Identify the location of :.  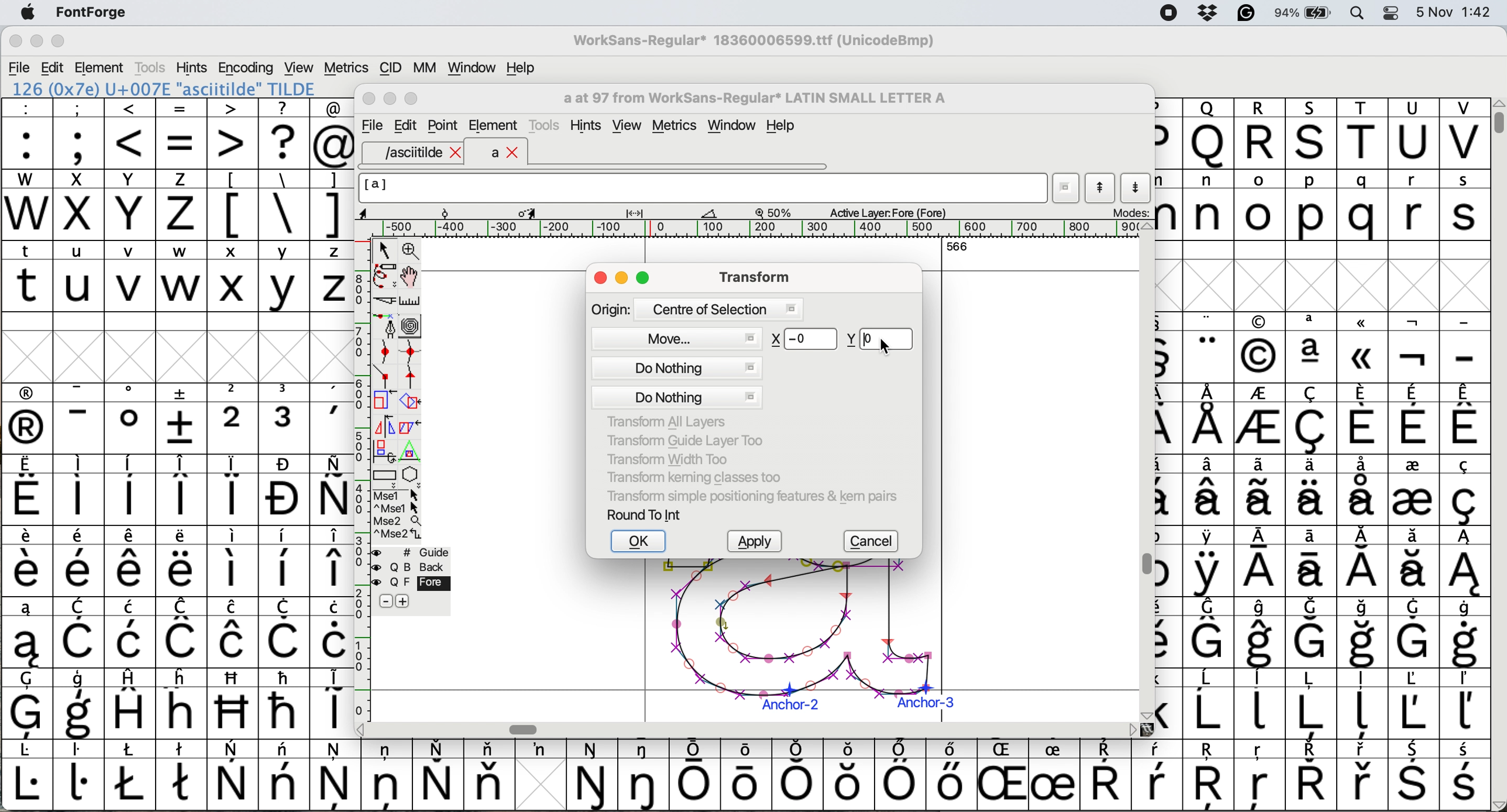
(28, 134).